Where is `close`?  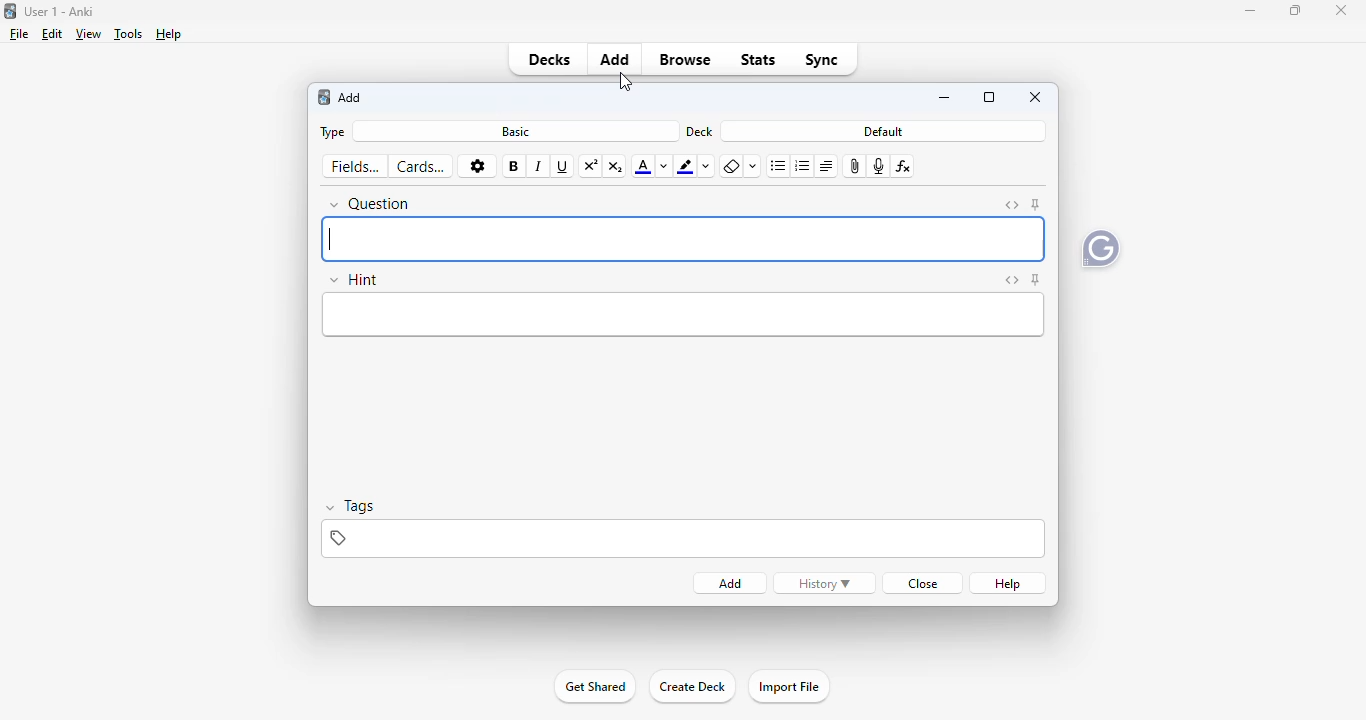 close is located at coordinates (925, 584).